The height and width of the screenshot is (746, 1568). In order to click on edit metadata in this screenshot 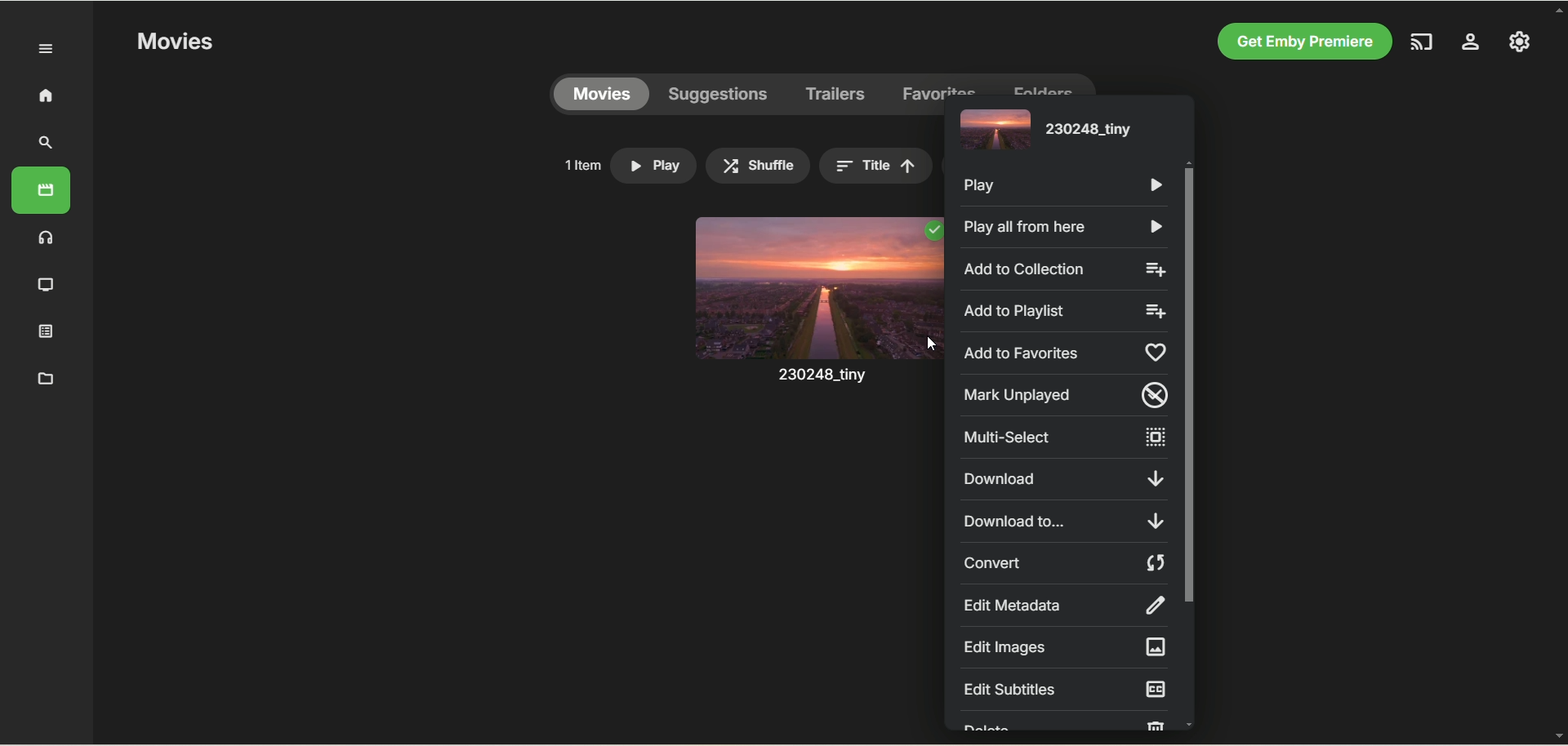, I will do `click(1062, 605)`.